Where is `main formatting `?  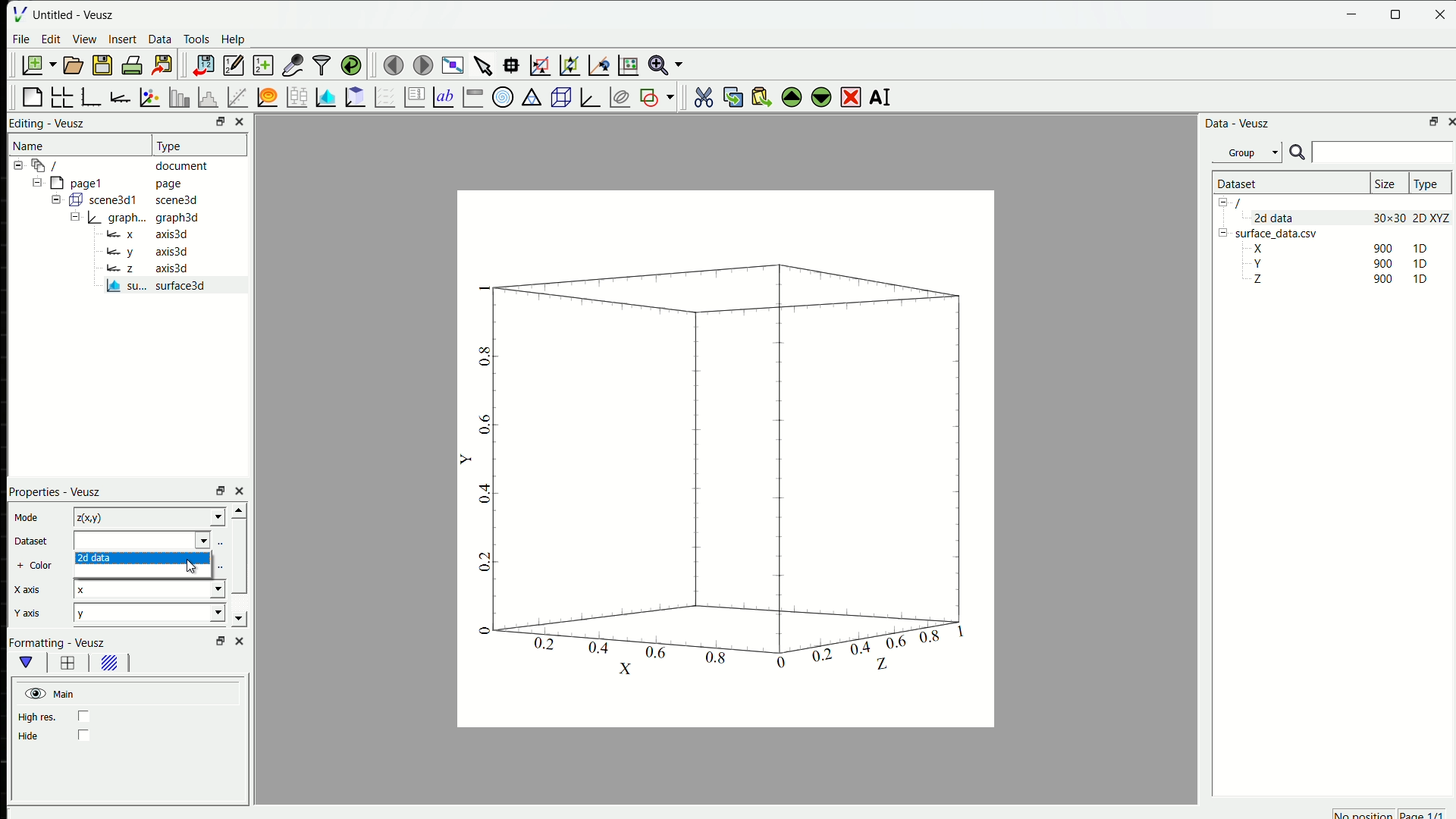
main formatting  is located at coordinates (27, 663).